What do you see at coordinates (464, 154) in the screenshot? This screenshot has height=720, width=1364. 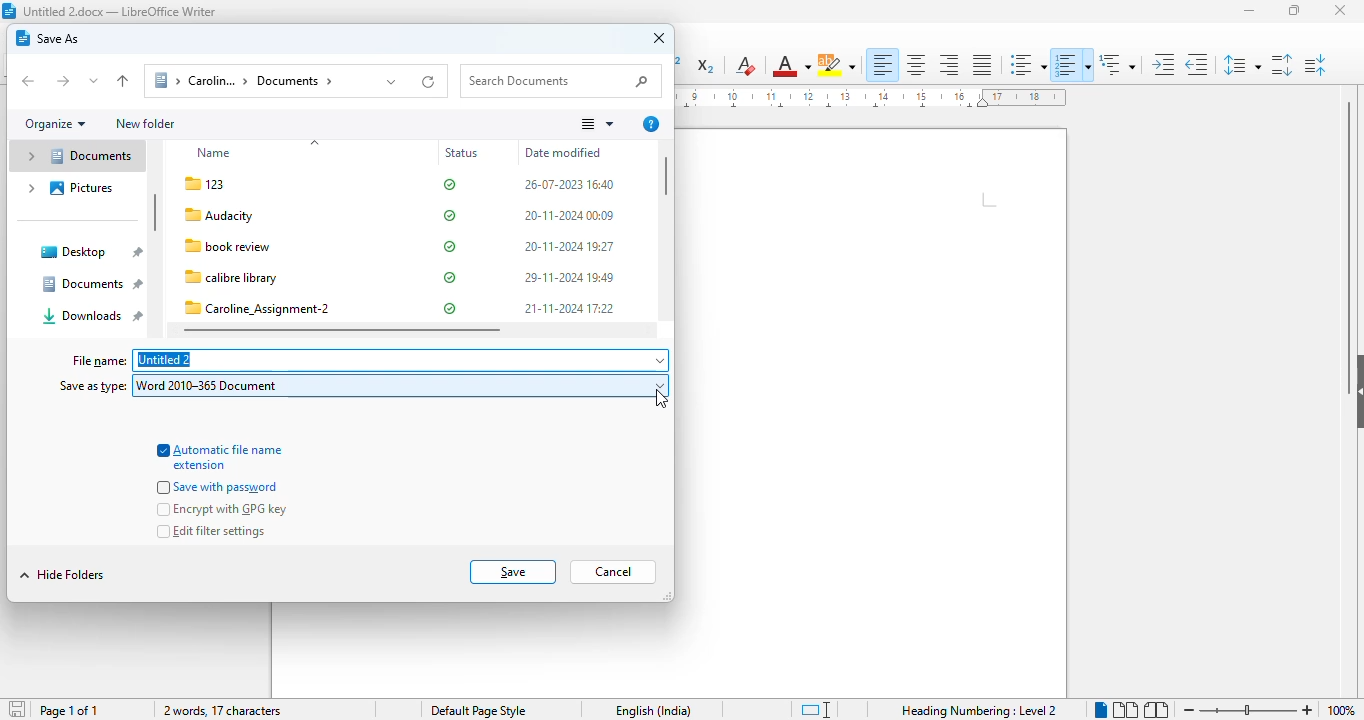 I see `status` at bounding box center [464, 154].